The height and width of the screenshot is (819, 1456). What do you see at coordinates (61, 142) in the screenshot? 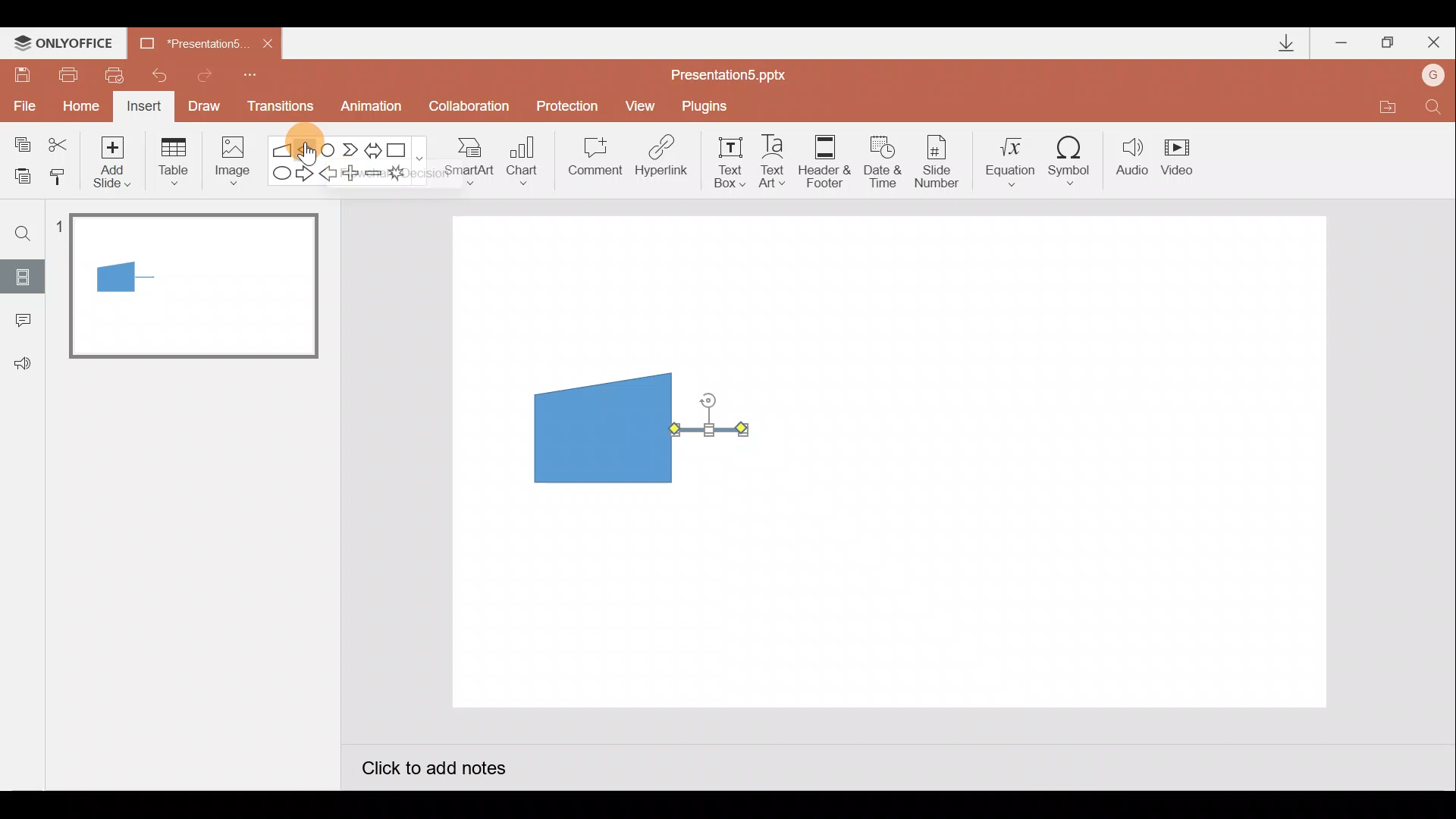
I see `Cut` at bounding box center [61, 142].